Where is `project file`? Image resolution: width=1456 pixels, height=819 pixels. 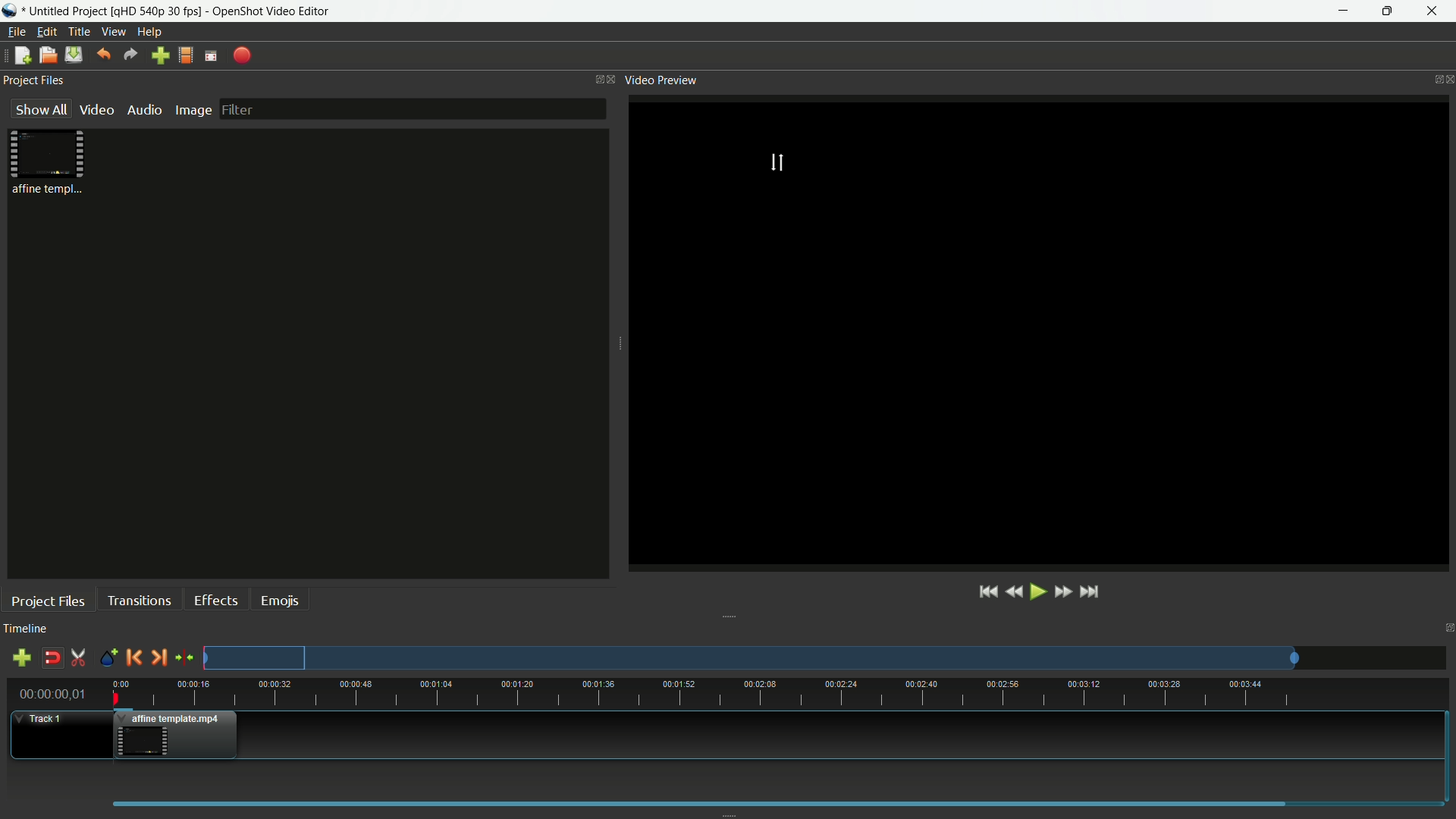 project file is located at coordinates (49, 162).